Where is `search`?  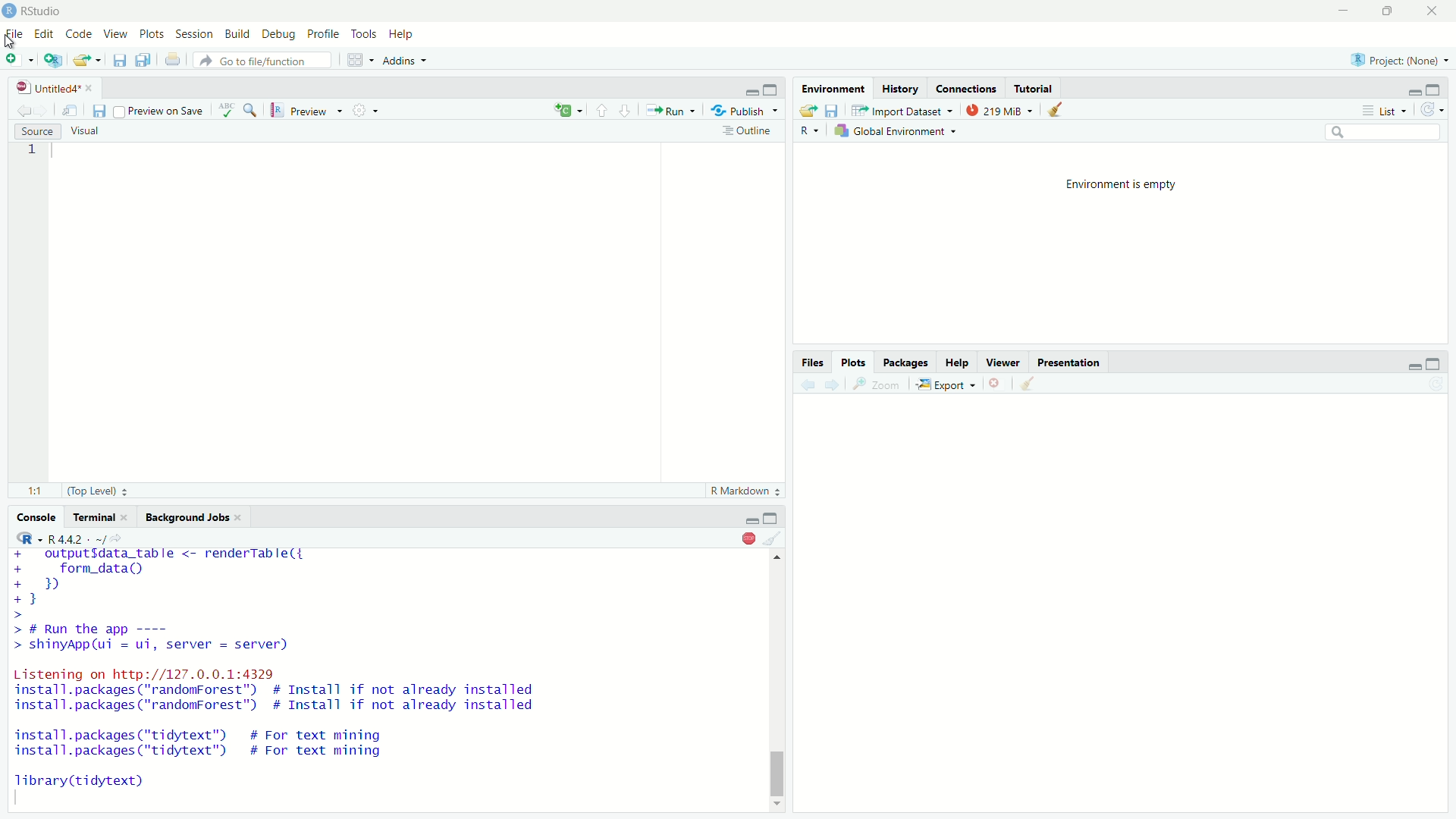
search is located at coordinates (1385, 132).